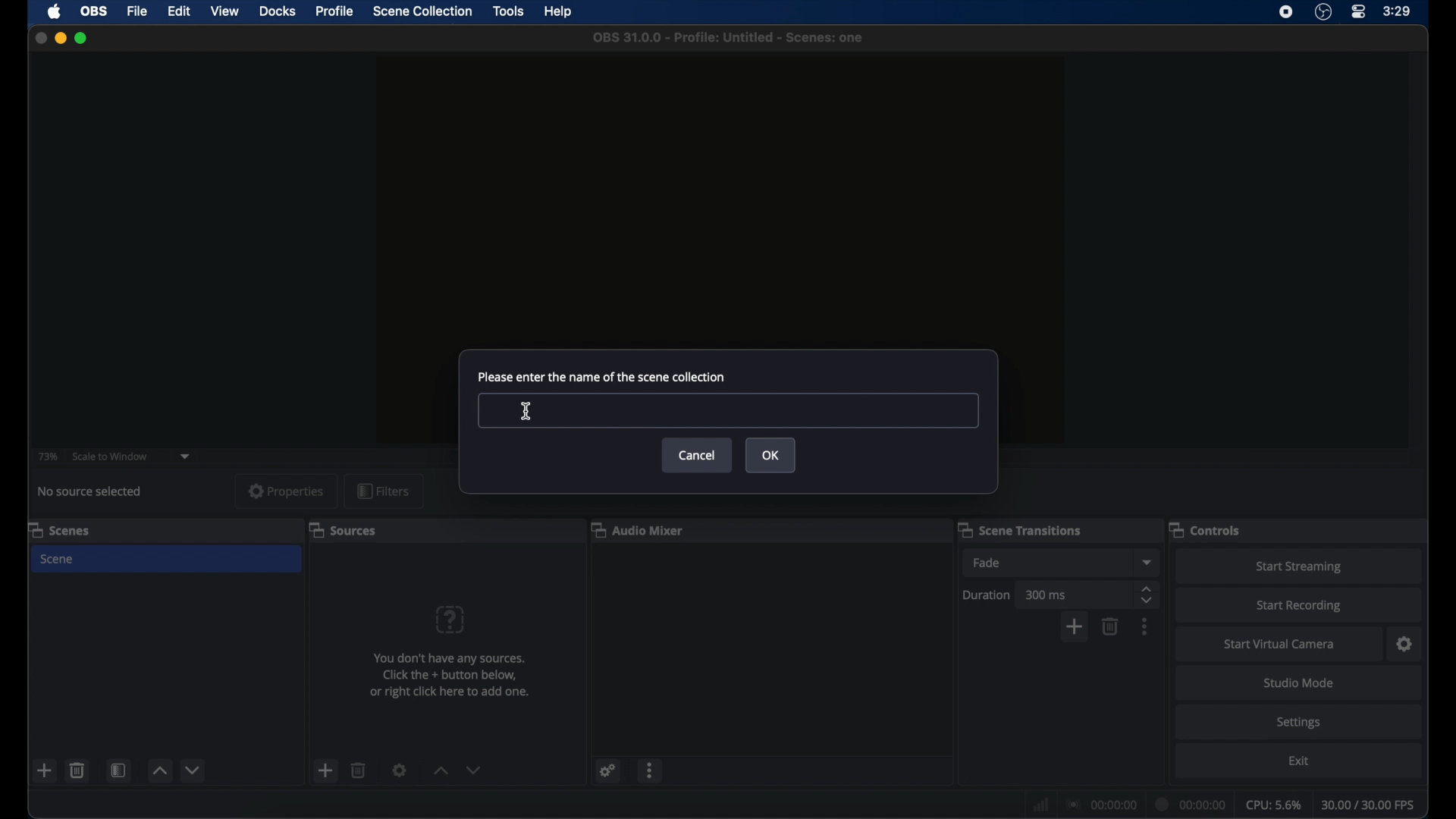 This screenshot has width=1456, height=819. What do you see at coordinates (194, 770) in the screenshot?
I see `decrement` at bounding box center [194, 770].